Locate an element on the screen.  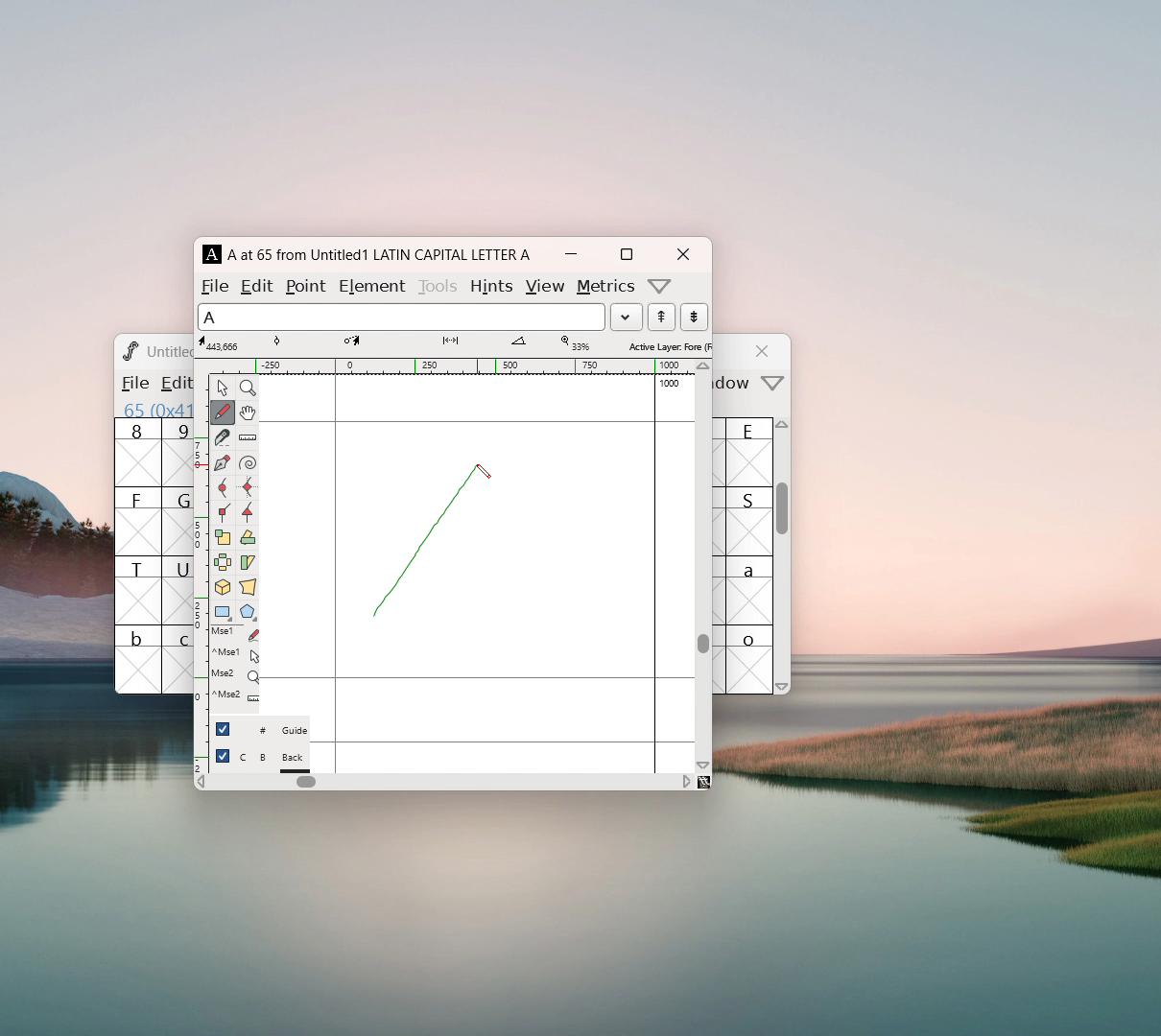
C B Back is located at coordinates (273, 760).